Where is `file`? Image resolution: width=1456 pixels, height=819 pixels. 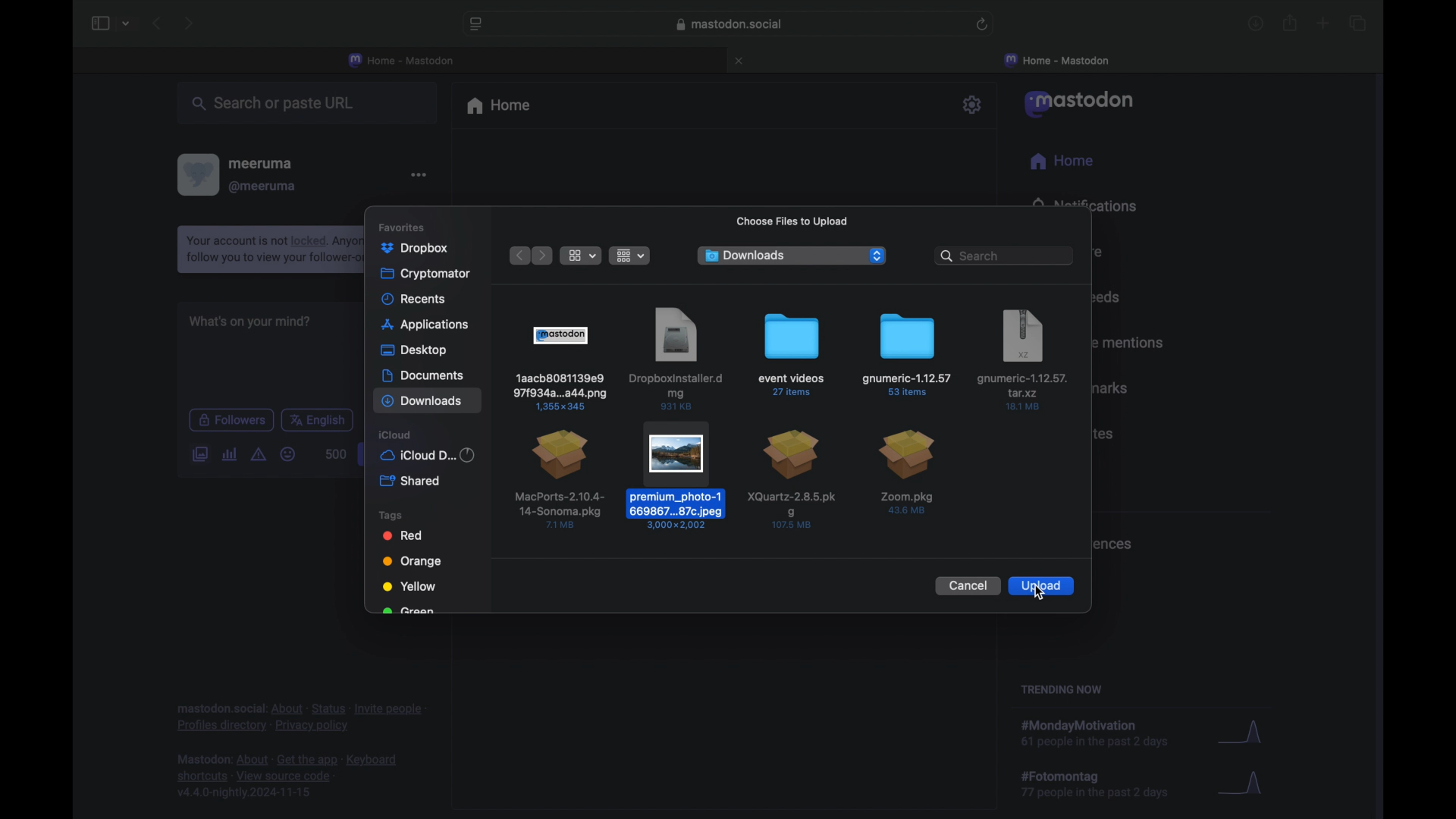
file is located at coordinates (558, 479).